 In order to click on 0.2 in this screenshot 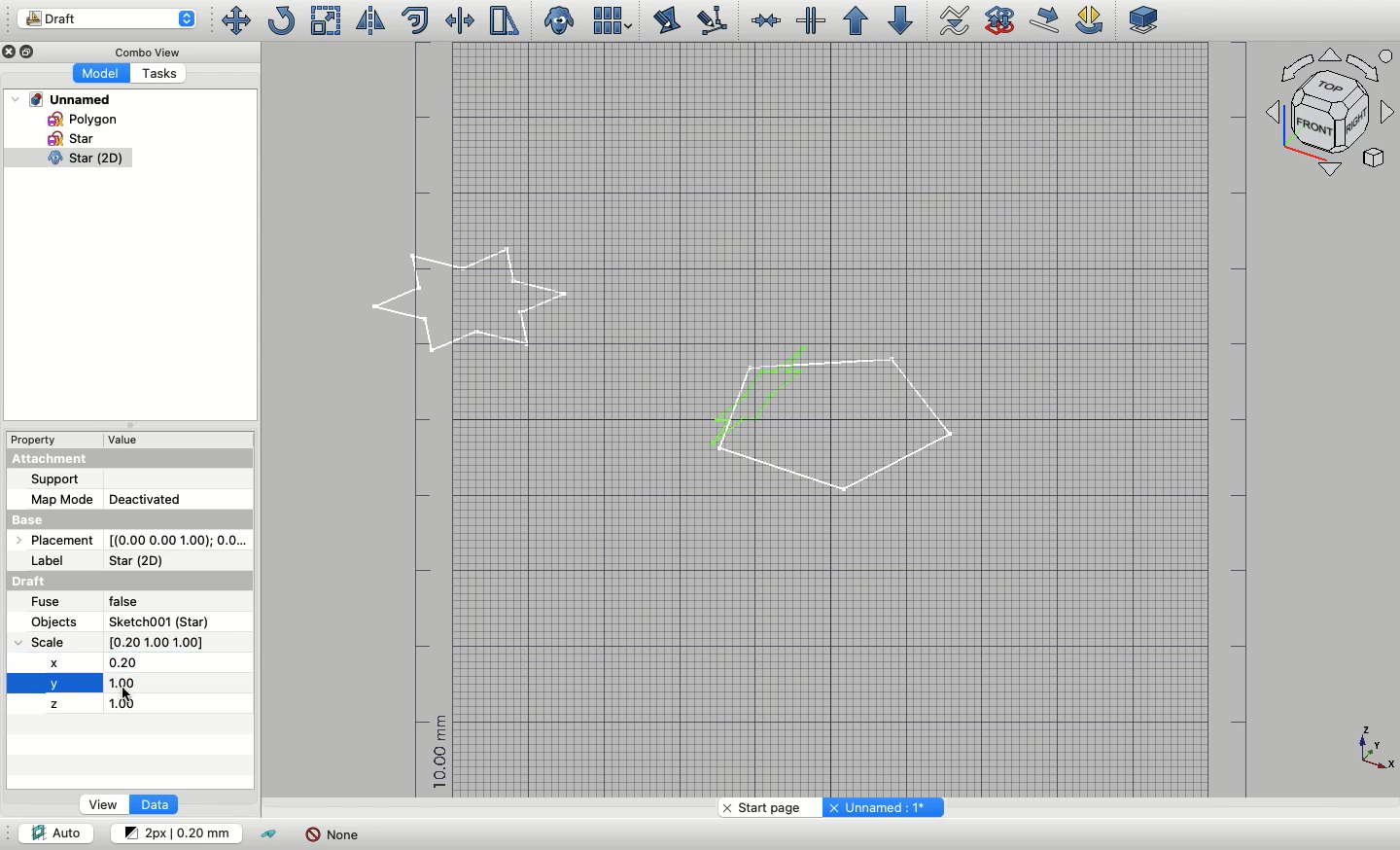, I will do `click(125, 663)`.